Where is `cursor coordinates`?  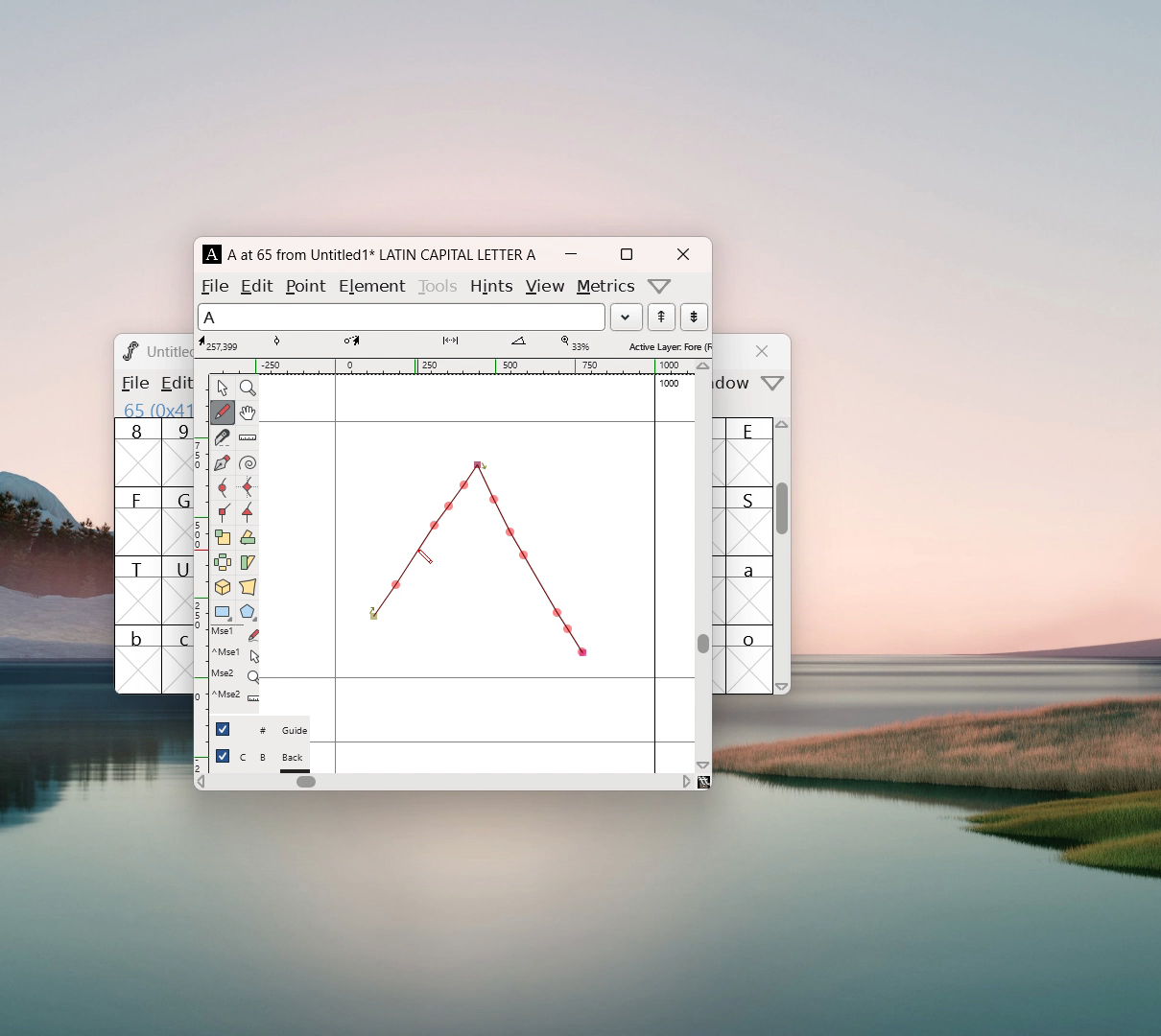 cursor coordinates is located at coordinates (222, 343).